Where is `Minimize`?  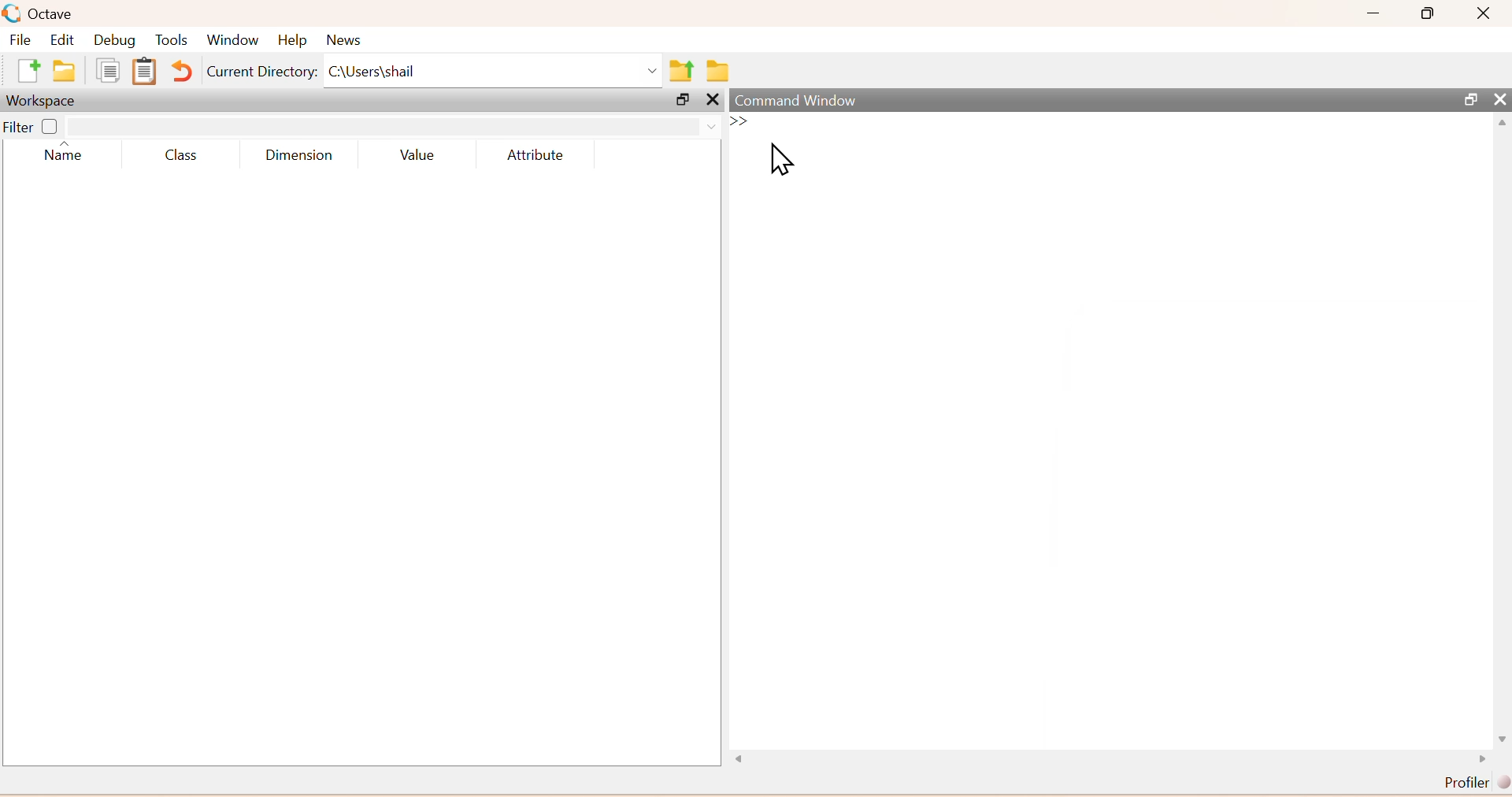 Minimize is located at coordinates (1375, 13).